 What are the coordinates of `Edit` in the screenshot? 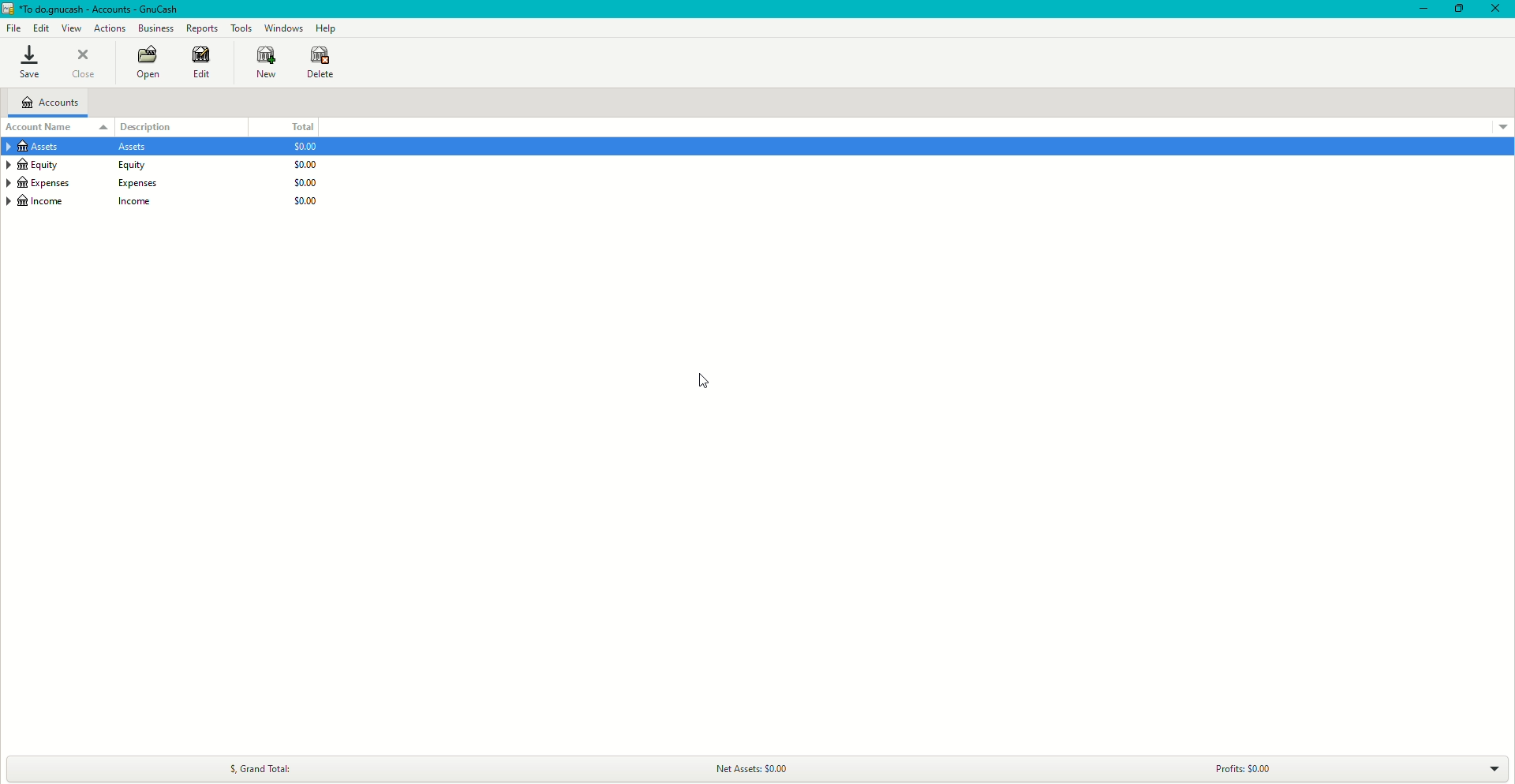 It's located at (198, 63).